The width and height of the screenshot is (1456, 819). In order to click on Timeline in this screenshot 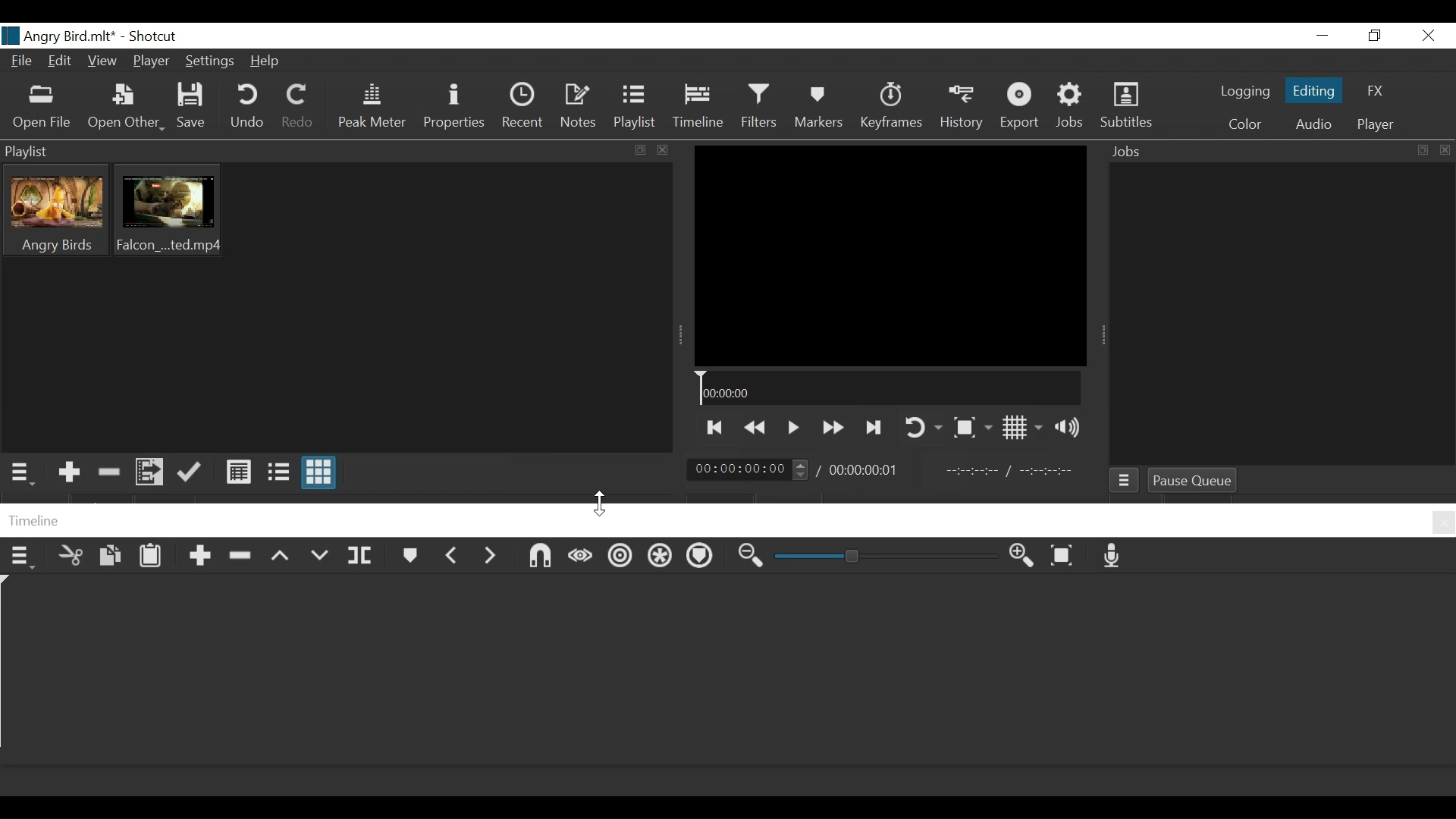, I will do `click(701, 108)`.